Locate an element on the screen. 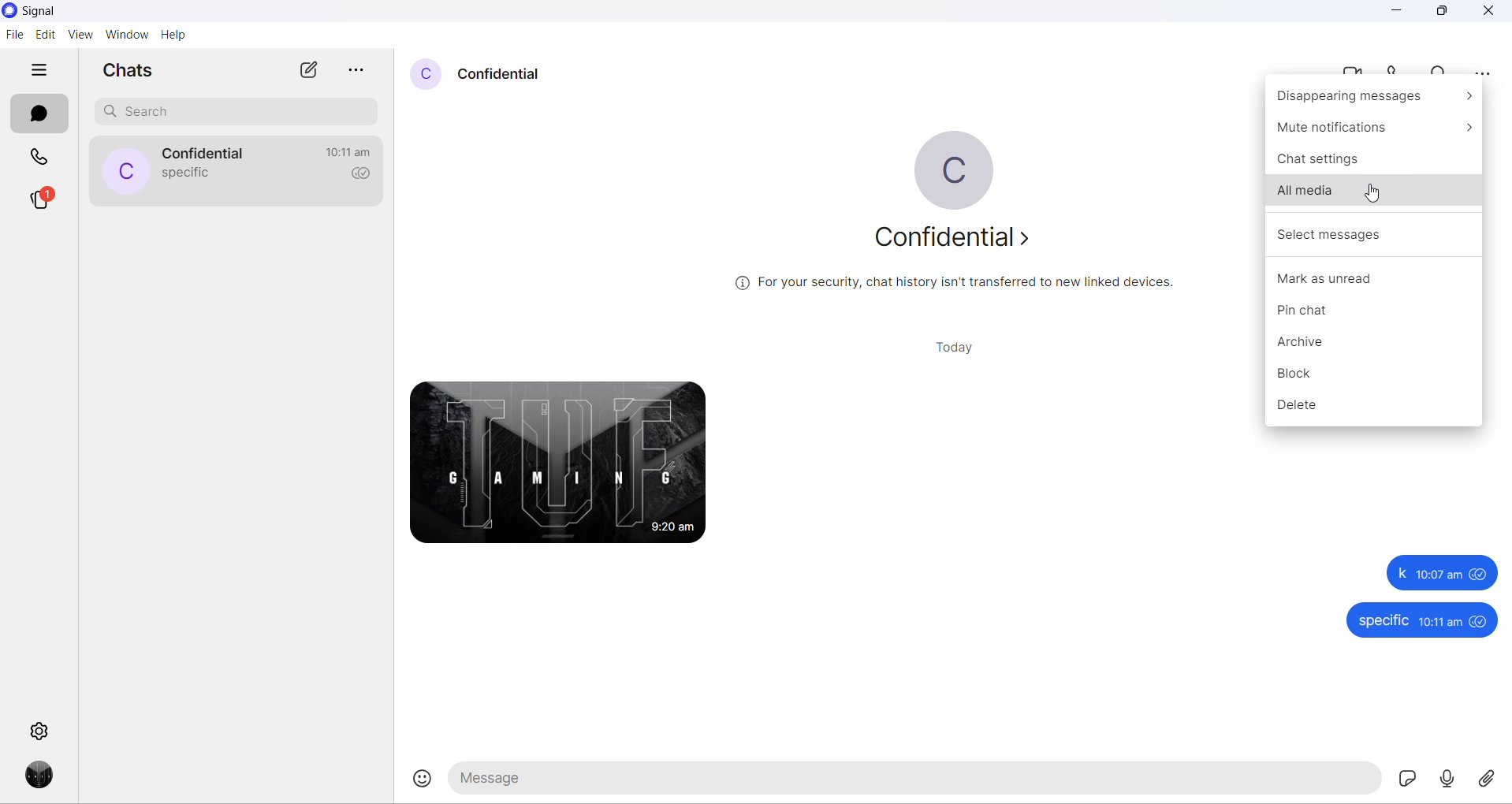 The width and height of the screenshot is (1512, 804). calls is located at coordinates (39, 155).